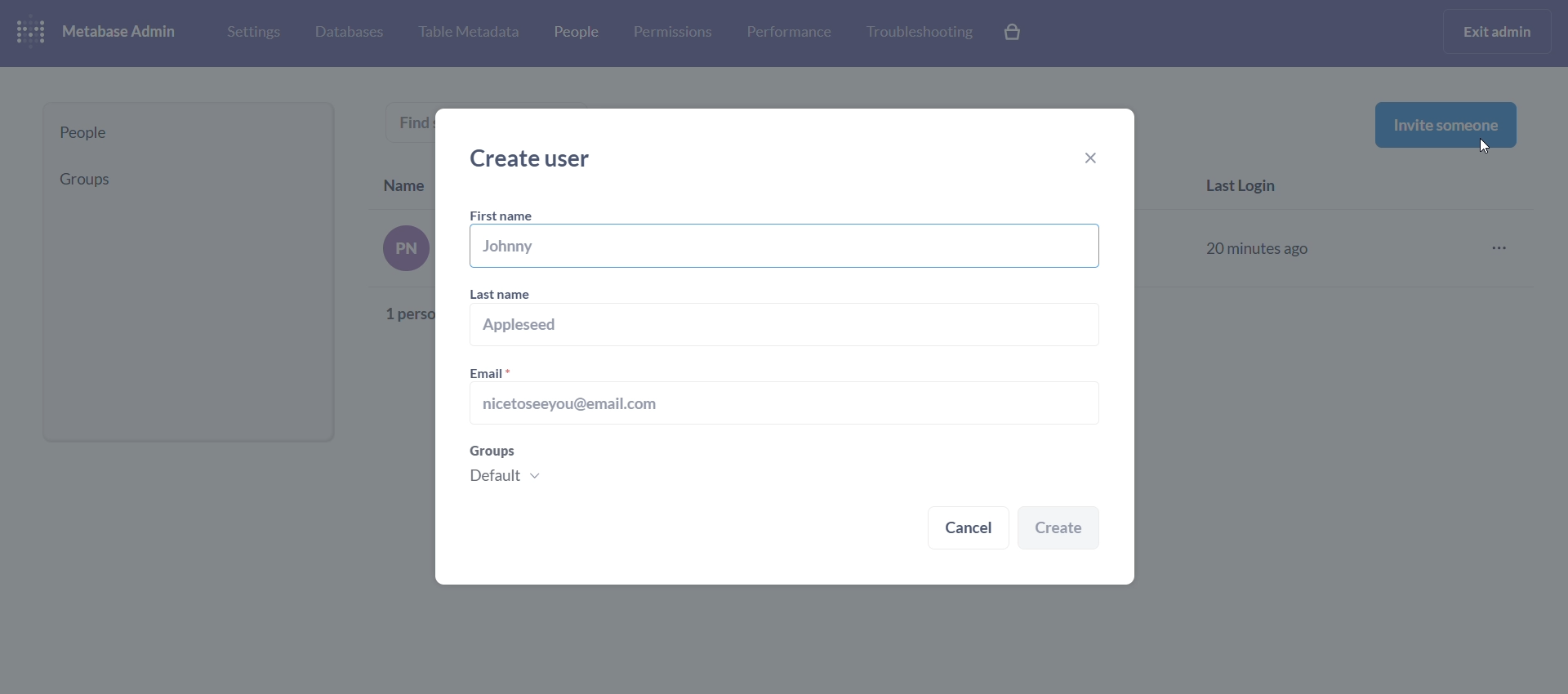 Image resolution: width=1568 pixels, height=694 pixels. I want to click on last login, so click(1249, 188).